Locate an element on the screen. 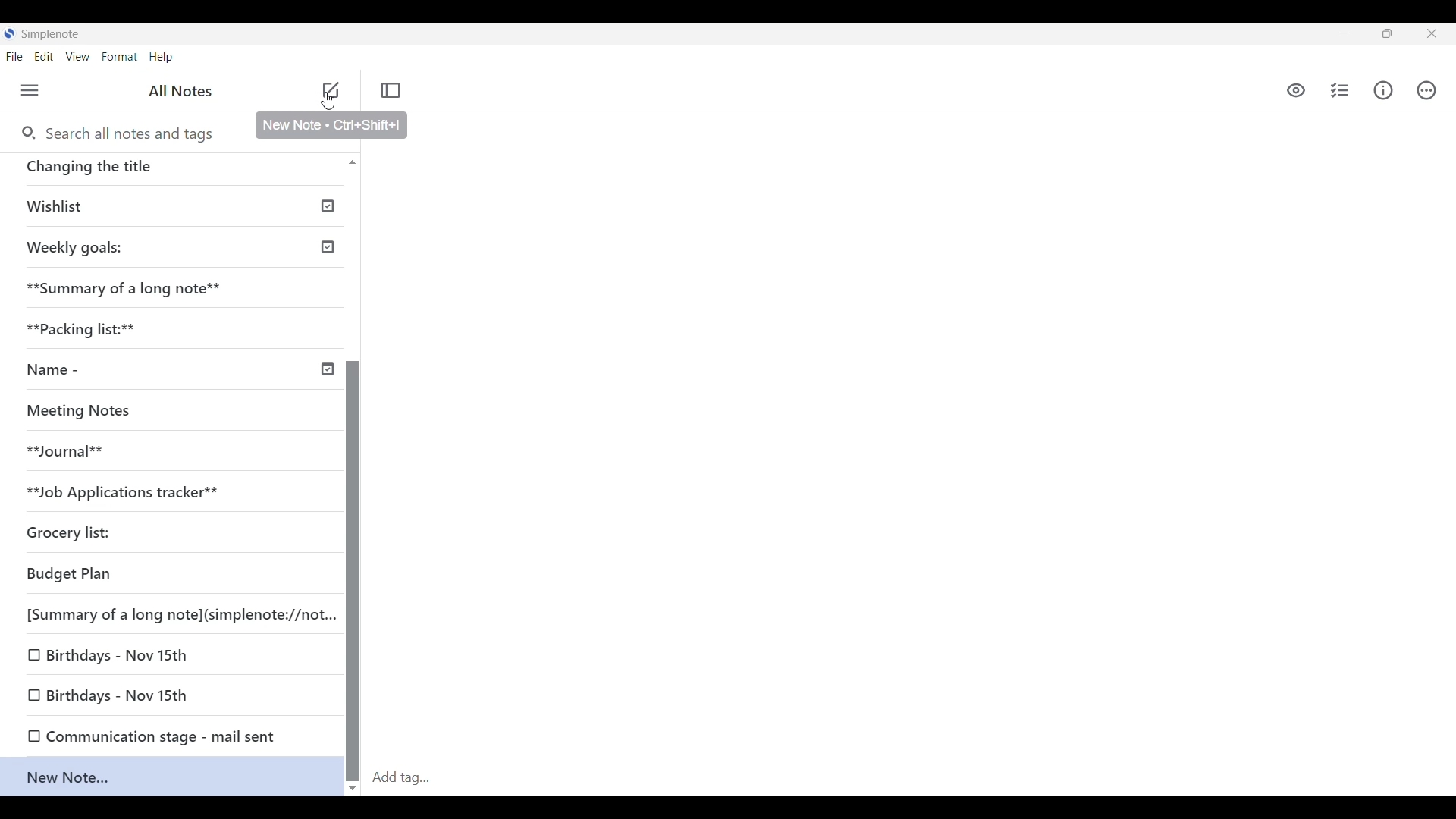 The height and width of the screenshot is (819, 1456). Summary of a long note is located at coordinates (121, 287).